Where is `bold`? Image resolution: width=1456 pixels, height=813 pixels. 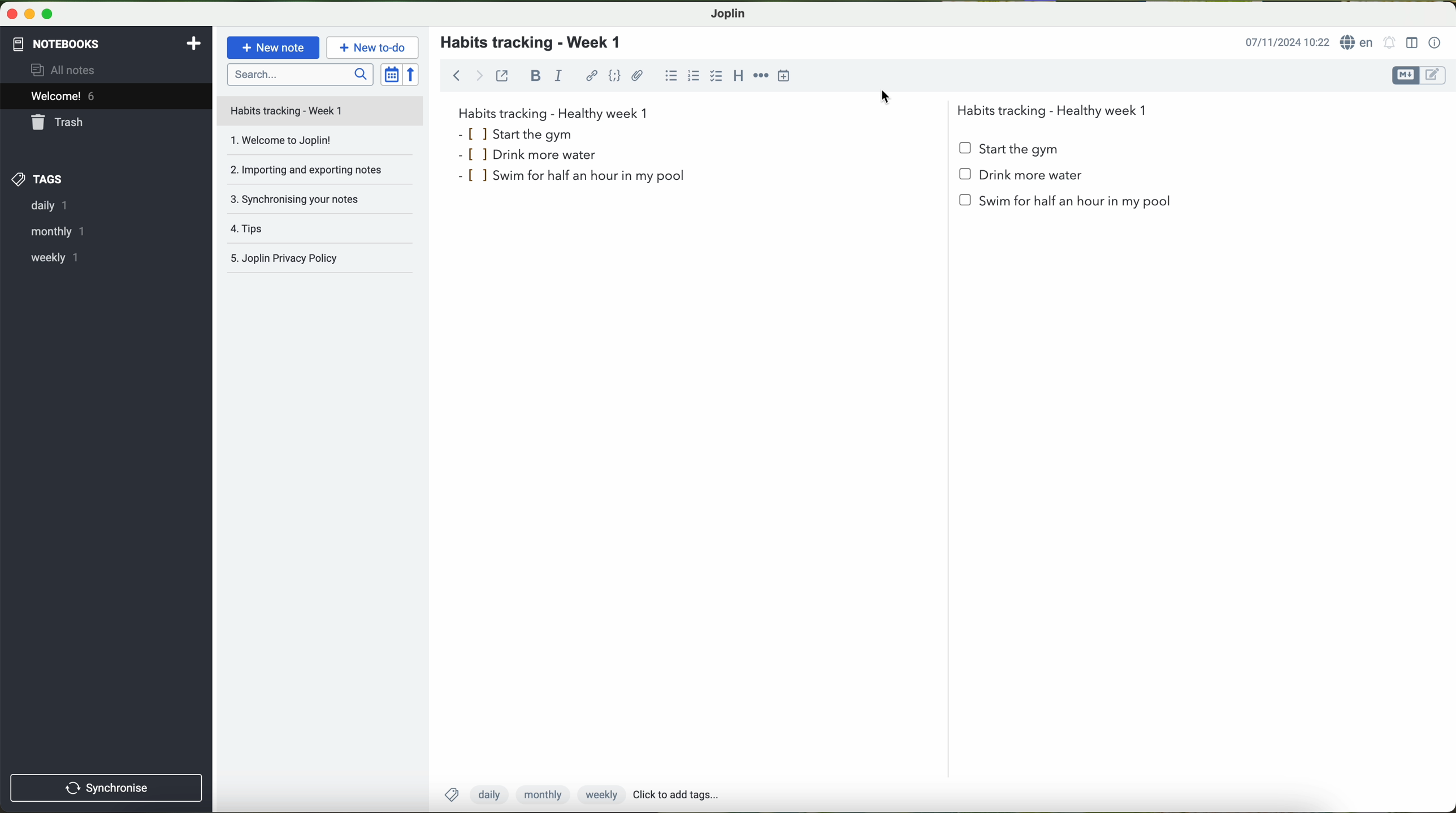 bold is located at coordinates (536, 76).